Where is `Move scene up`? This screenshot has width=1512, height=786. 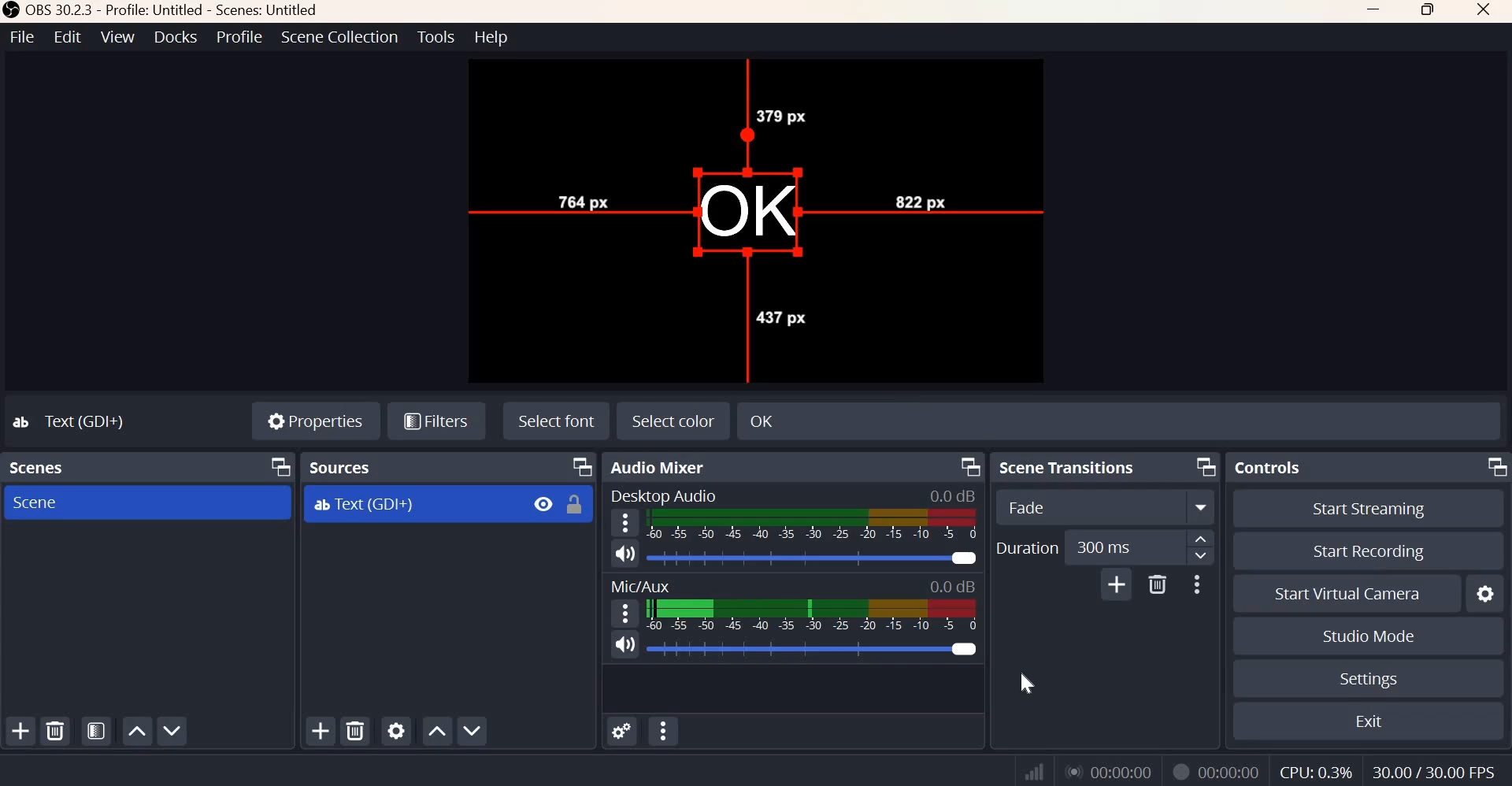 Move scene up is located at coordinates (135, 732).